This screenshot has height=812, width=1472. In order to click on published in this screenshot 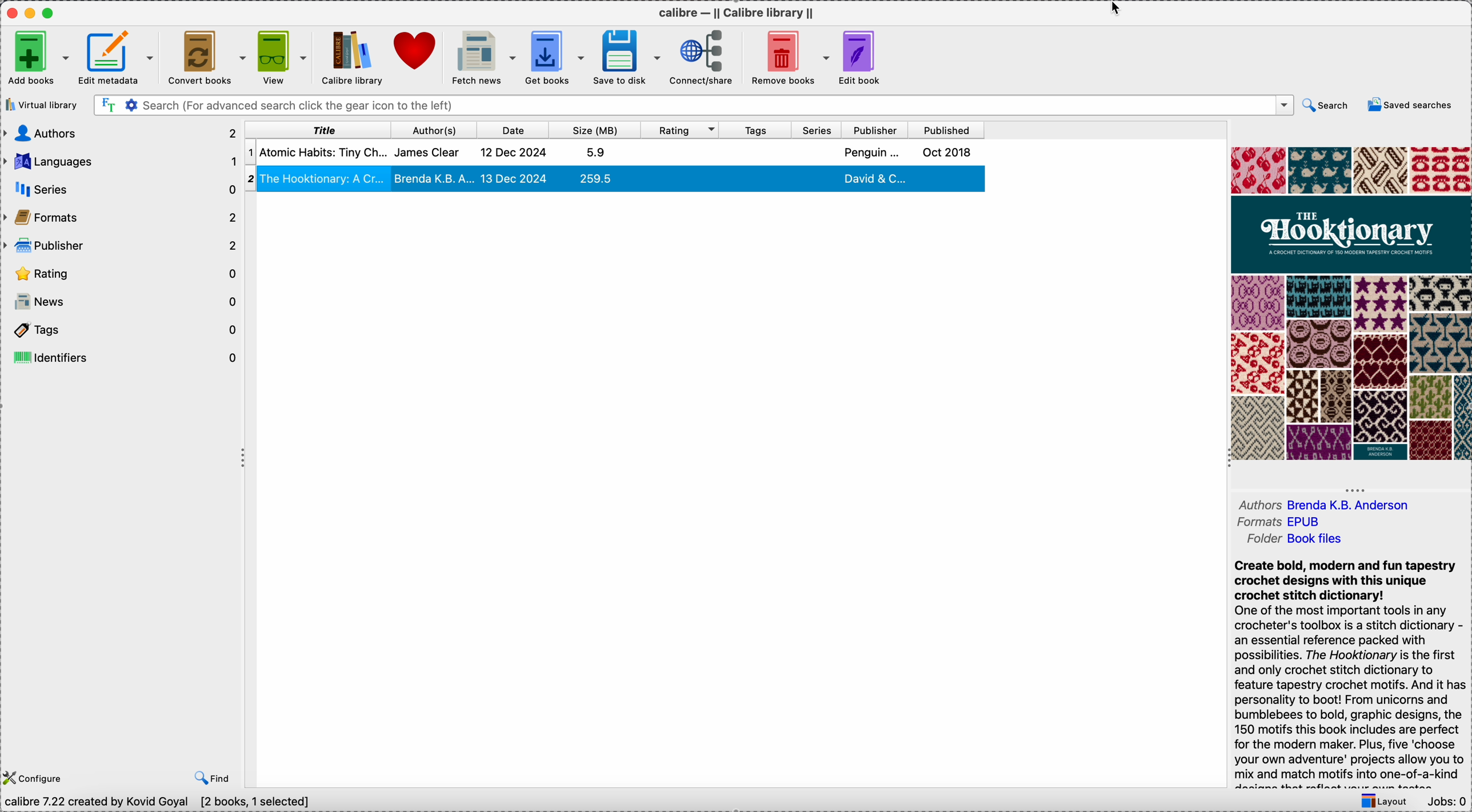, I will do `click(944, 131)`.